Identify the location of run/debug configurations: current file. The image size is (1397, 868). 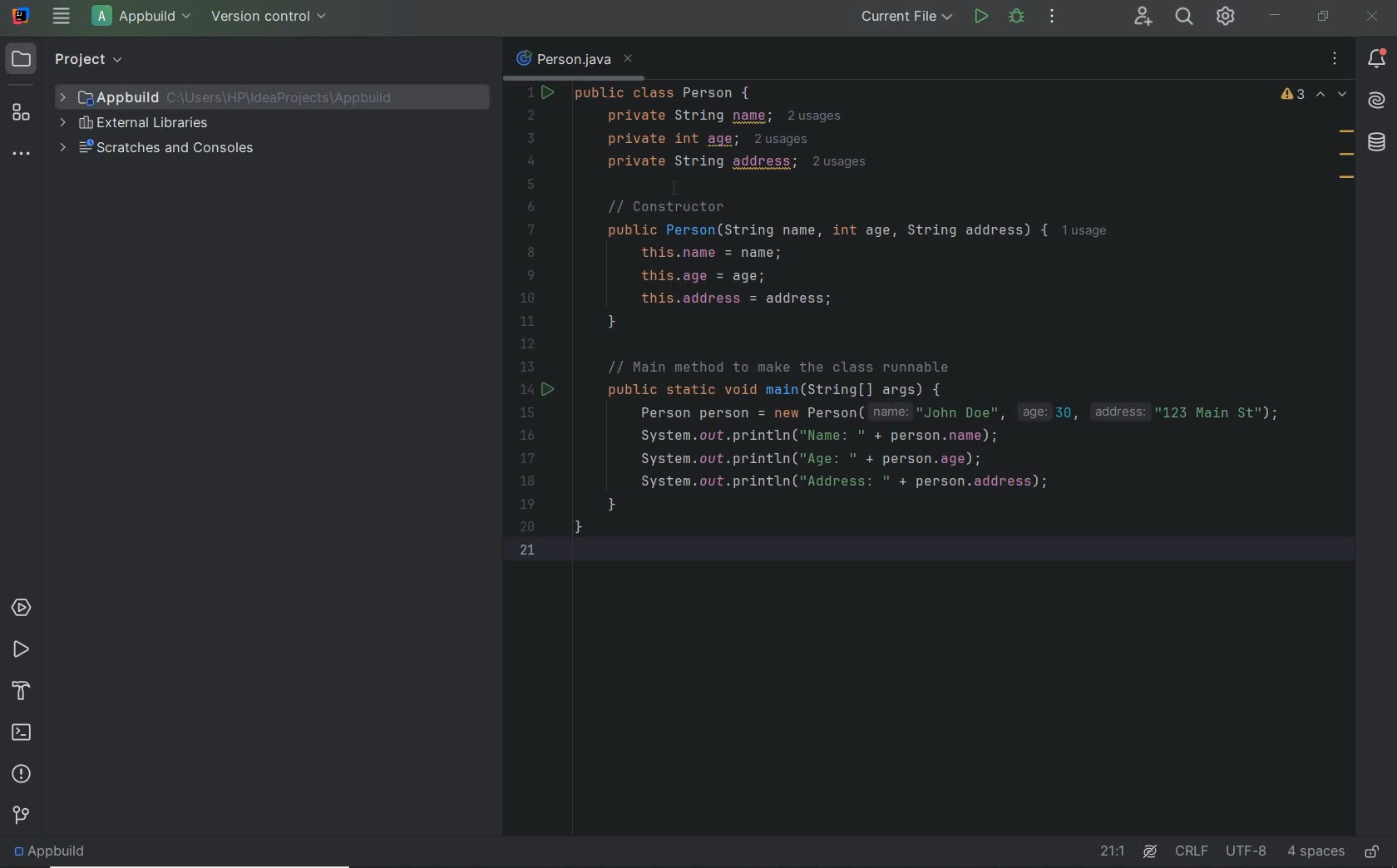
(906, 16).